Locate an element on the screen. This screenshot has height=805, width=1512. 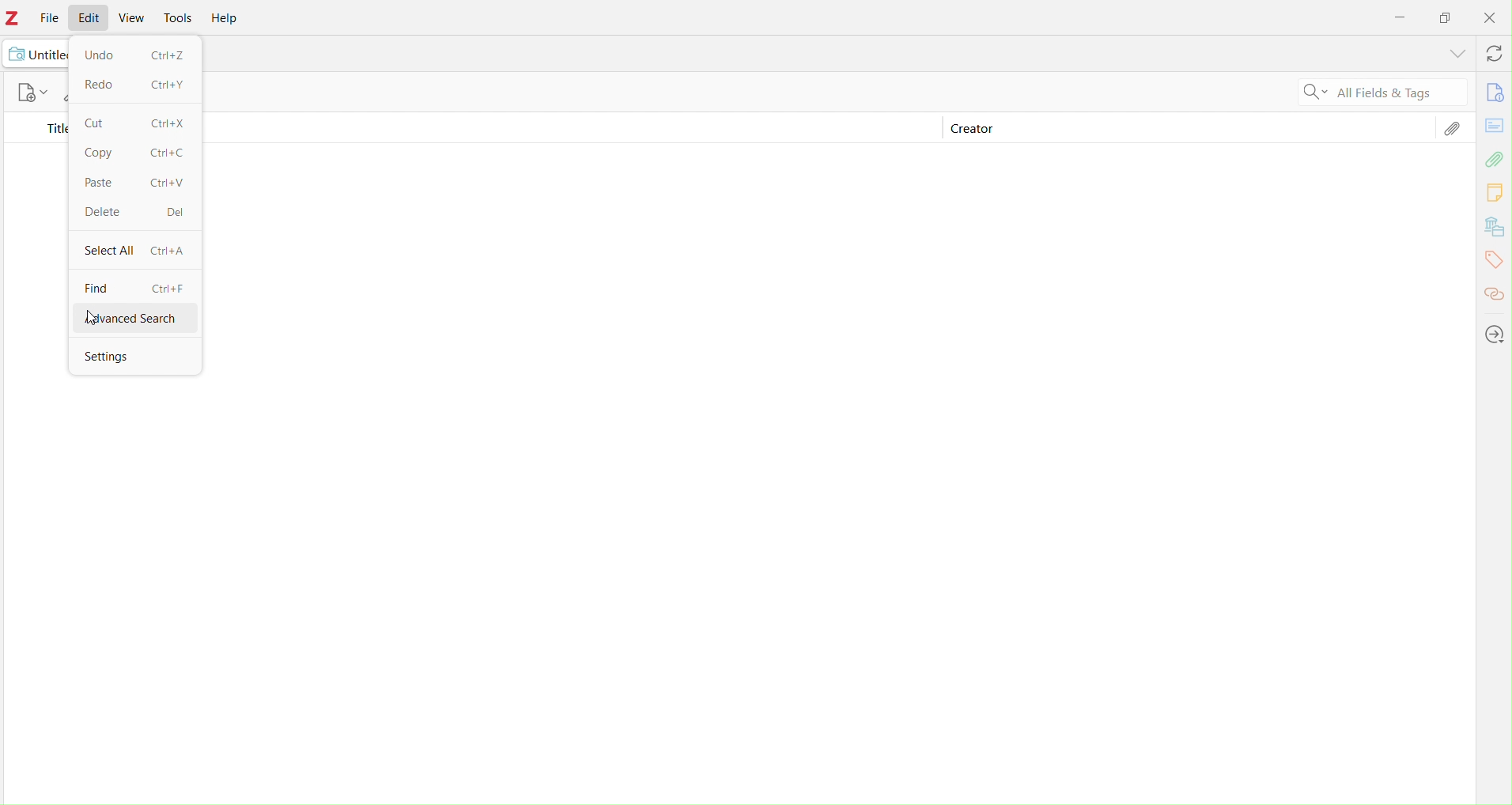
Dropdown is located at coordinates (1451, 55).